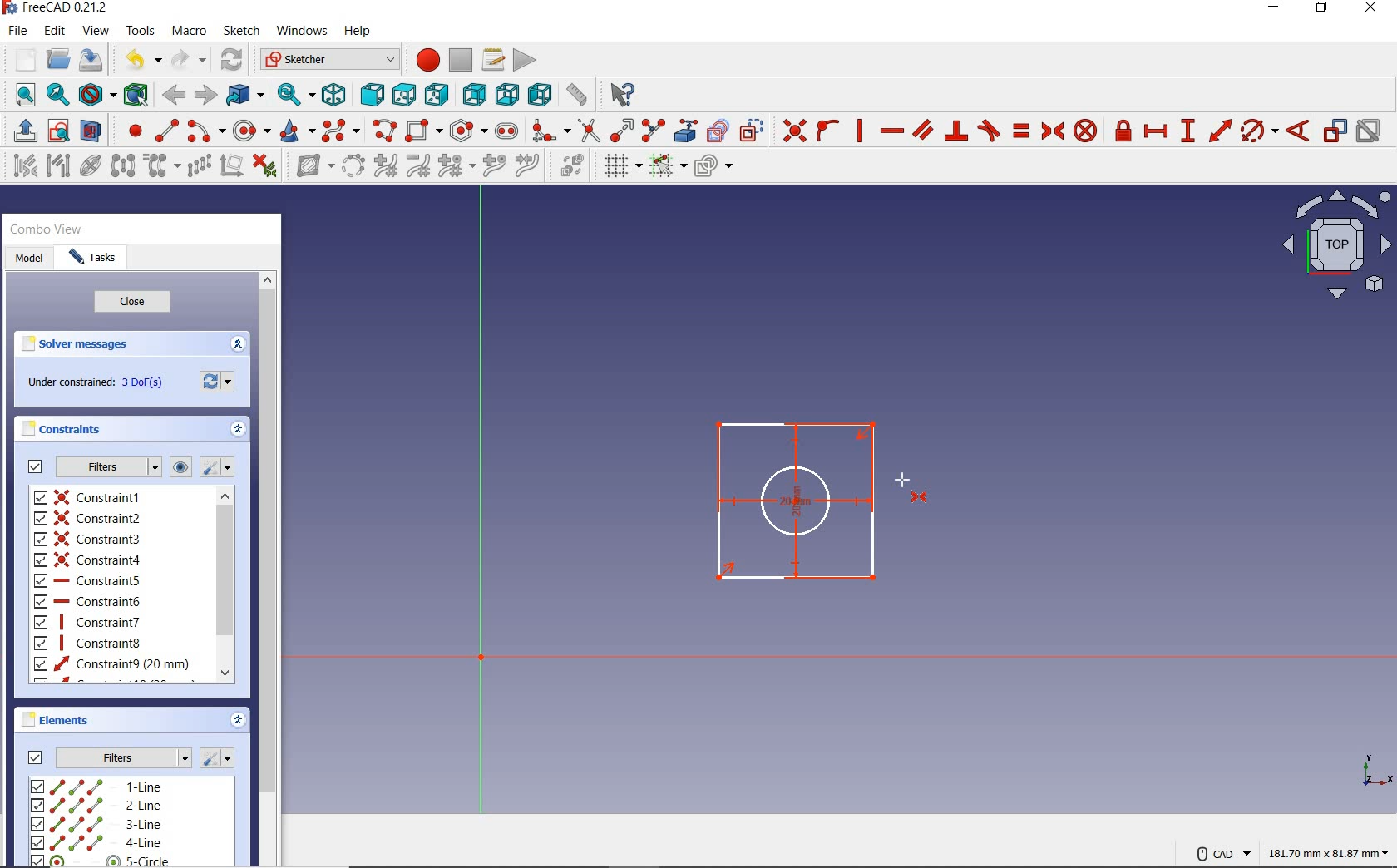 The height and width of the screenshot is (868, 1397). Describe the element at coordinates (145, 382) in the screenshot. I see `under constrained: 3 Dof(s)` at that location.